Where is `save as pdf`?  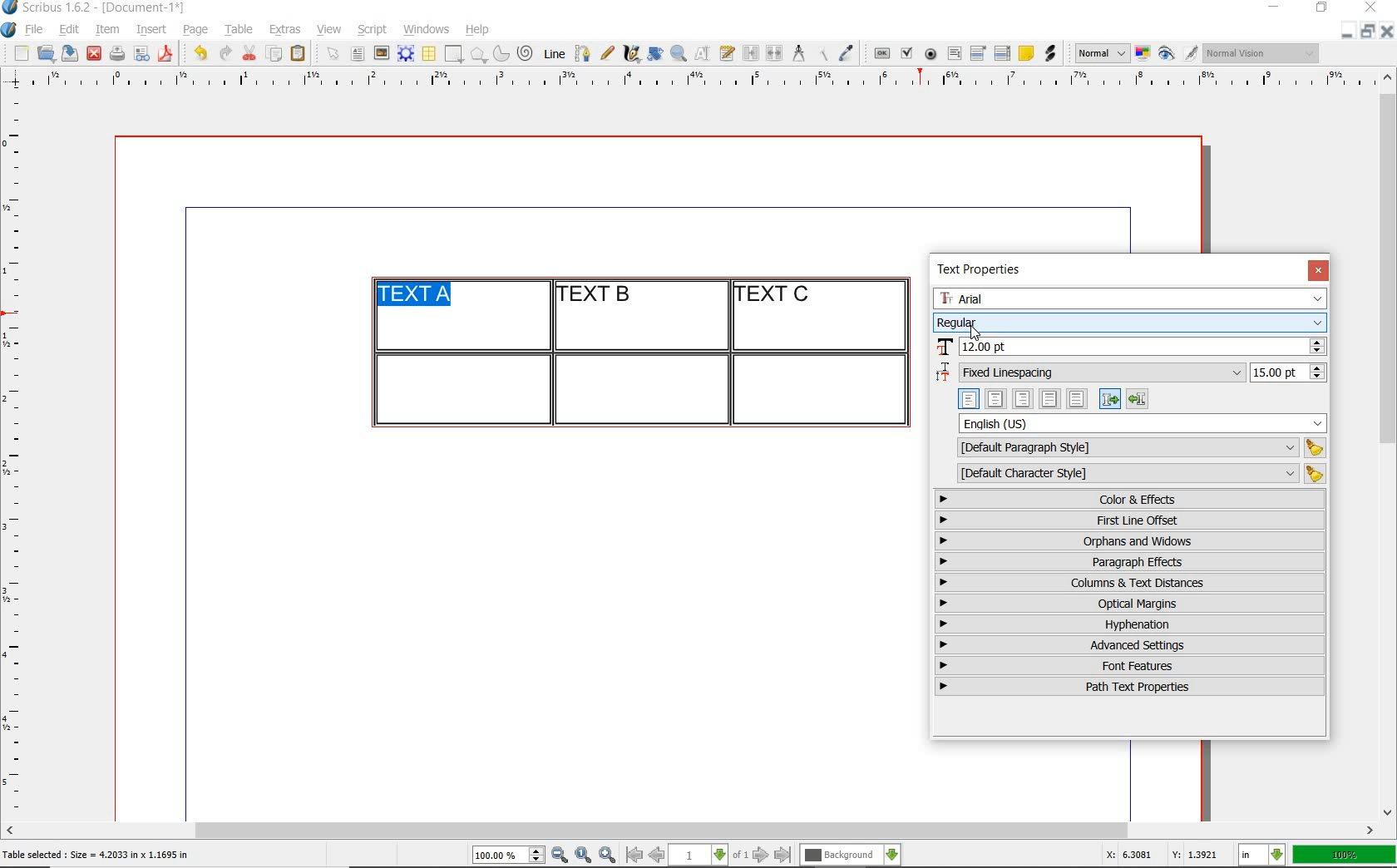
save as pdf is located at coordinates (168, 53).